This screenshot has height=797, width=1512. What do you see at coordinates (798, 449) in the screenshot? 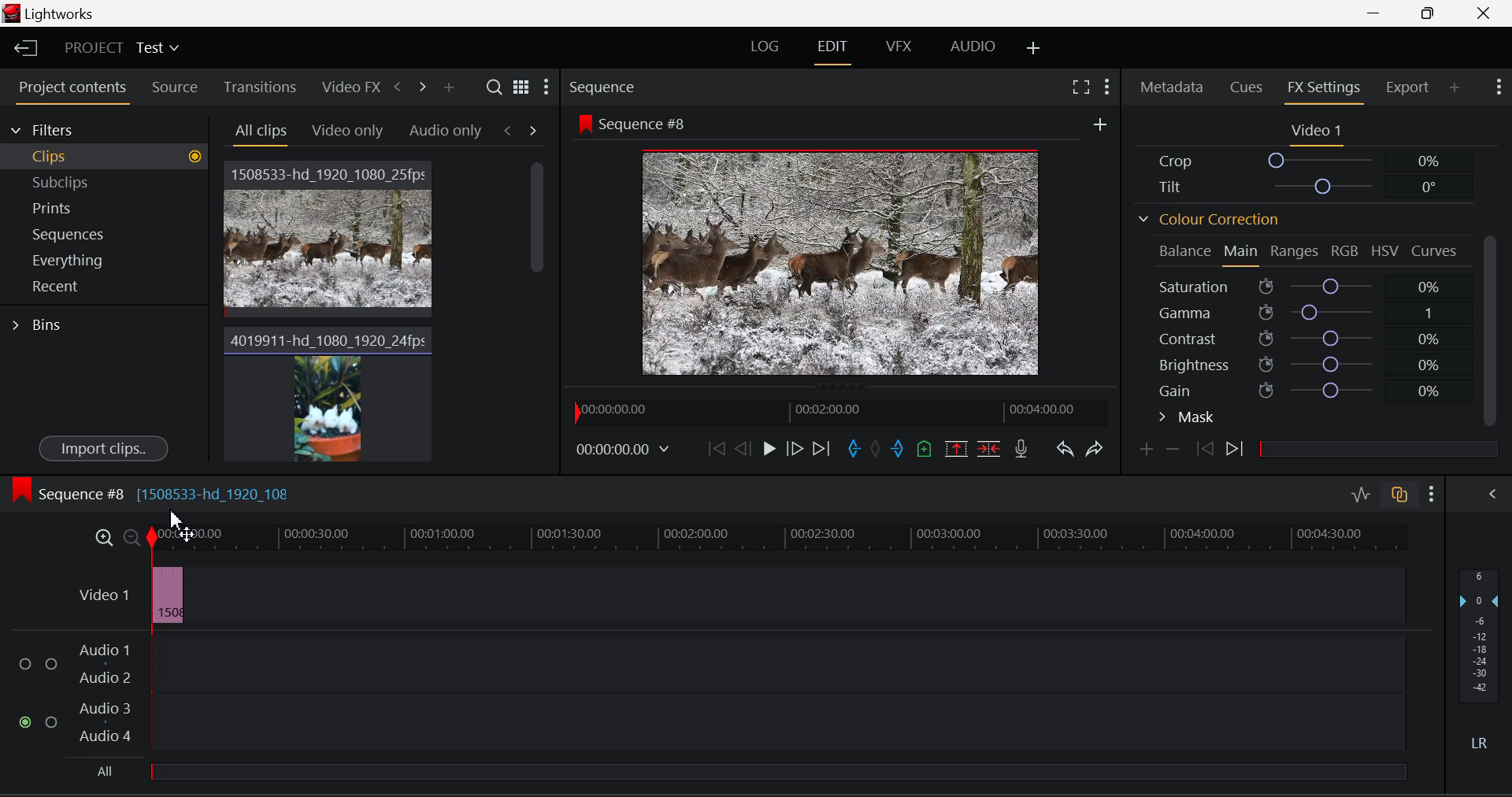
I see `Go Forward` at bounding box center [798, 449].